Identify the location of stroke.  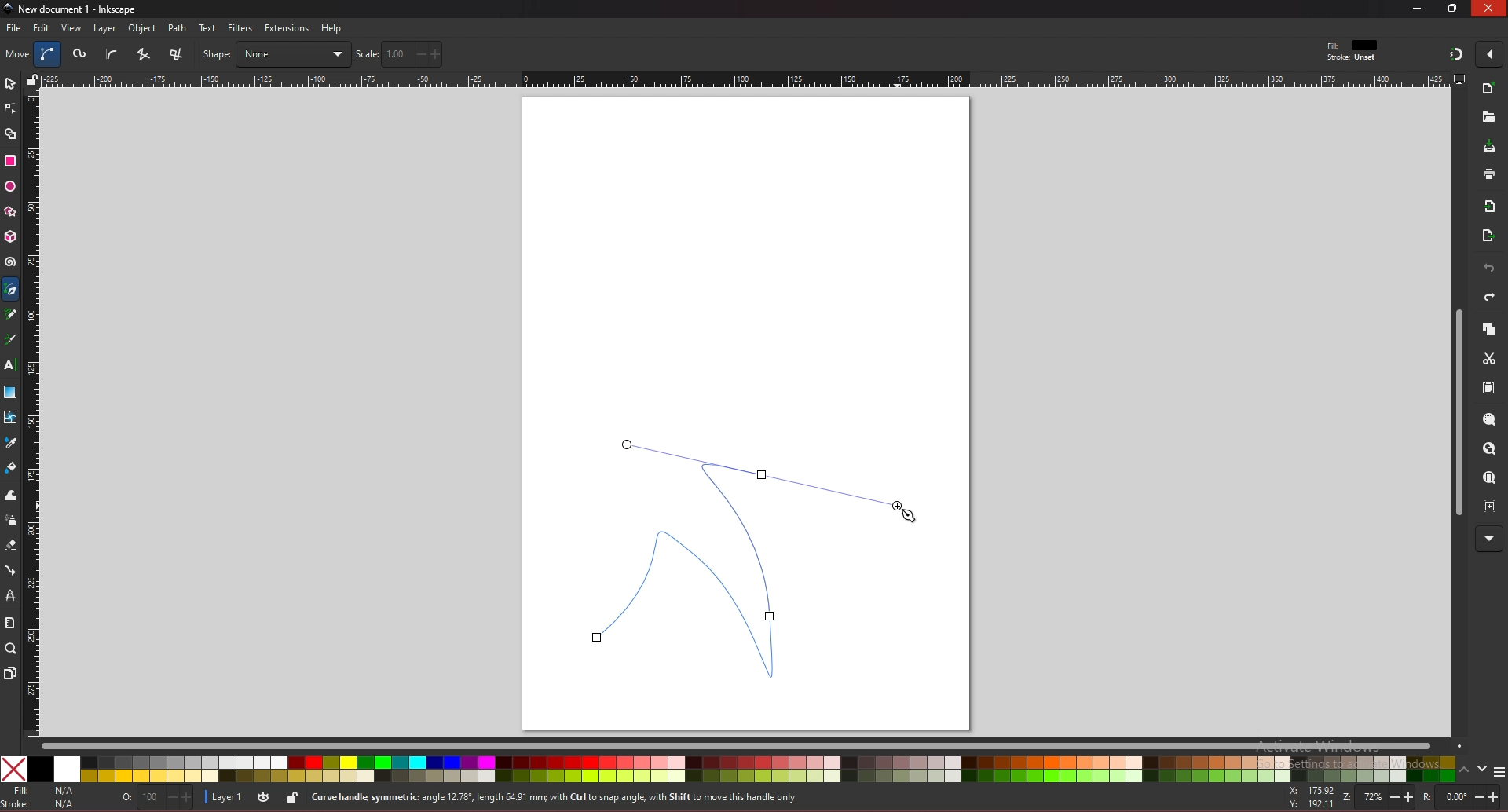
(1352, 58).